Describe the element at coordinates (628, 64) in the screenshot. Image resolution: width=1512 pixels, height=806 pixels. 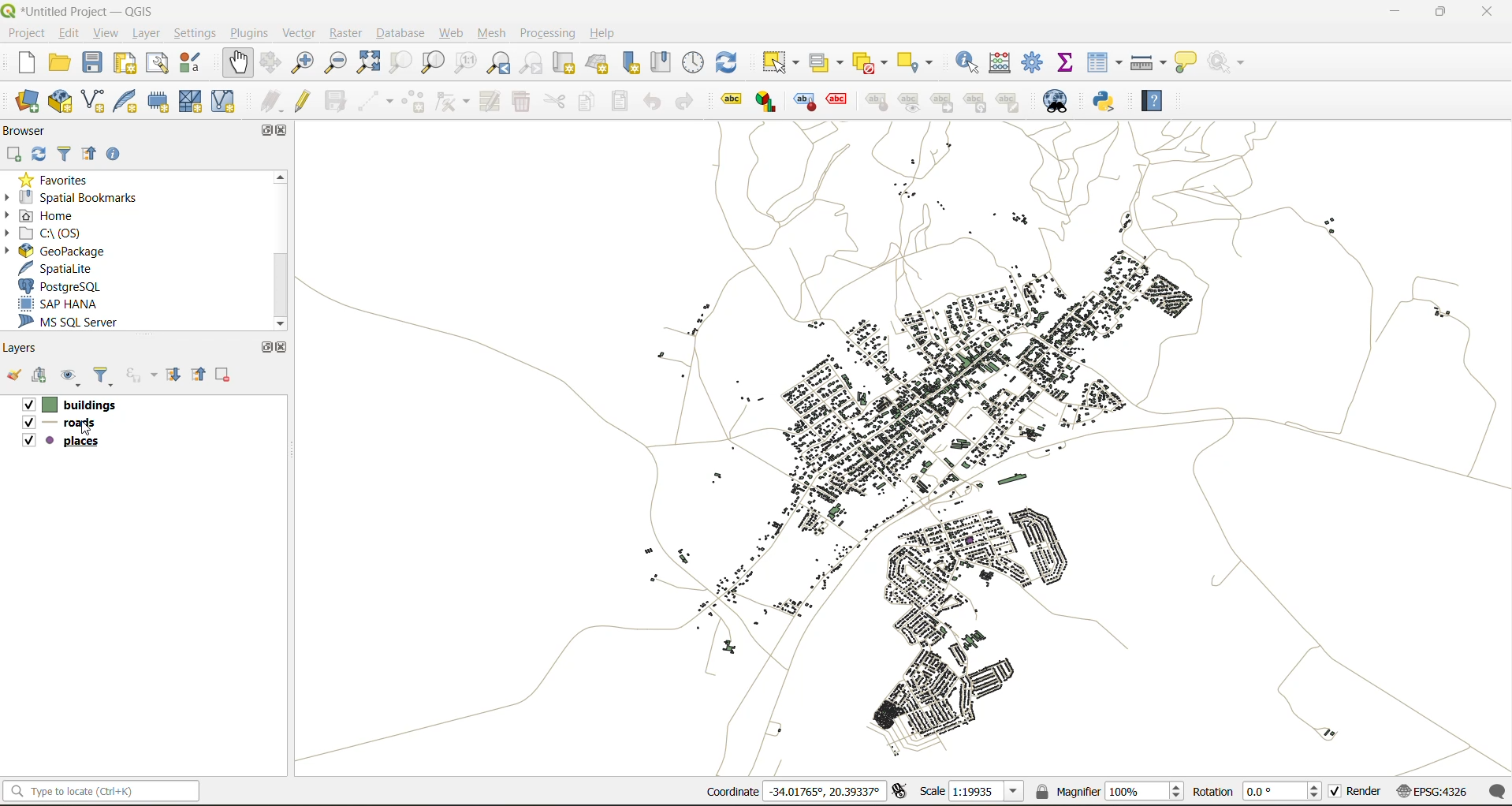
I see `new spatial bookmark` at that location.